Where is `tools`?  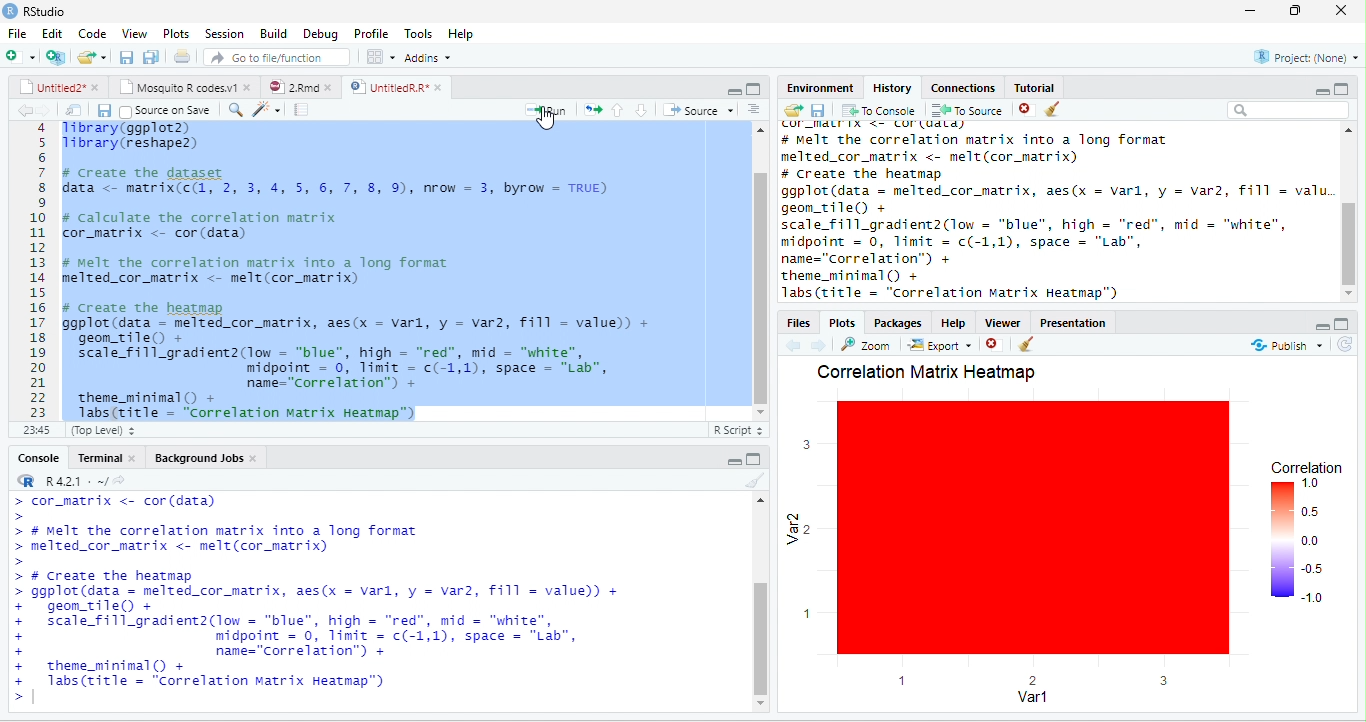 tools is located at coordinates (418, 31).